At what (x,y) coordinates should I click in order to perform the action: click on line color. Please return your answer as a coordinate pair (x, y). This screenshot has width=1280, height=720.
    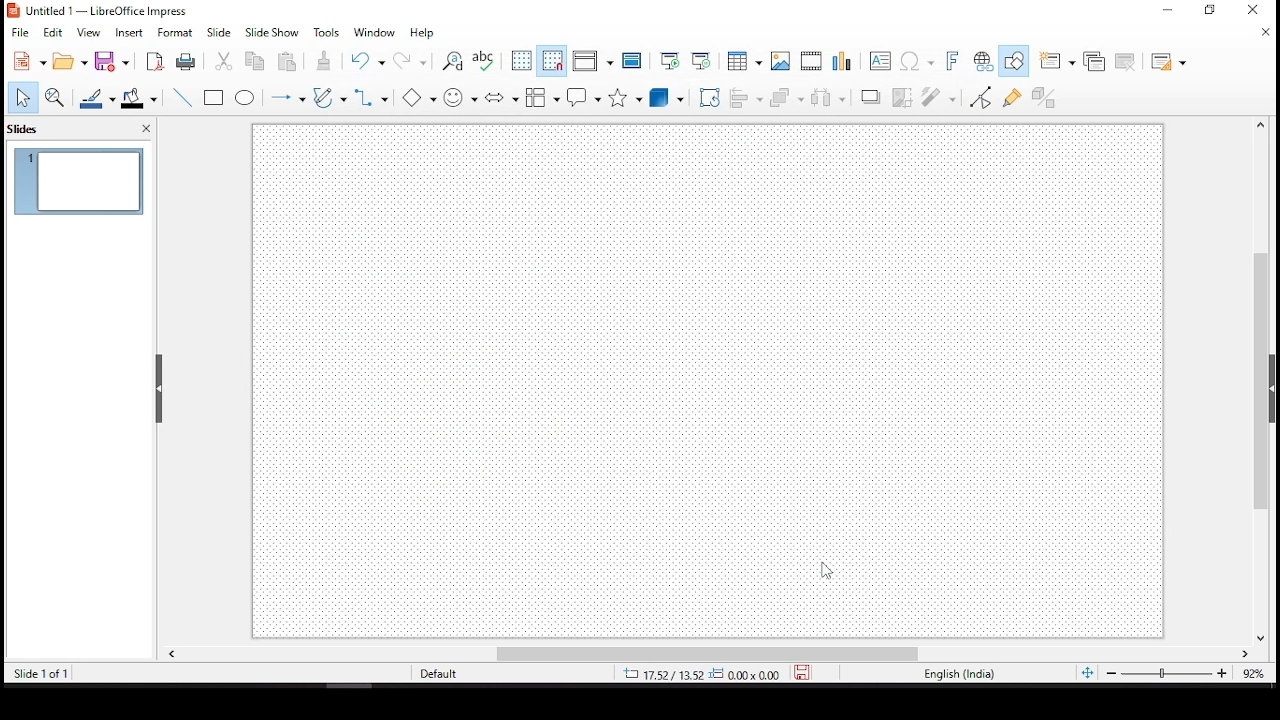
    Looking at the image, I should click on (95, 97).